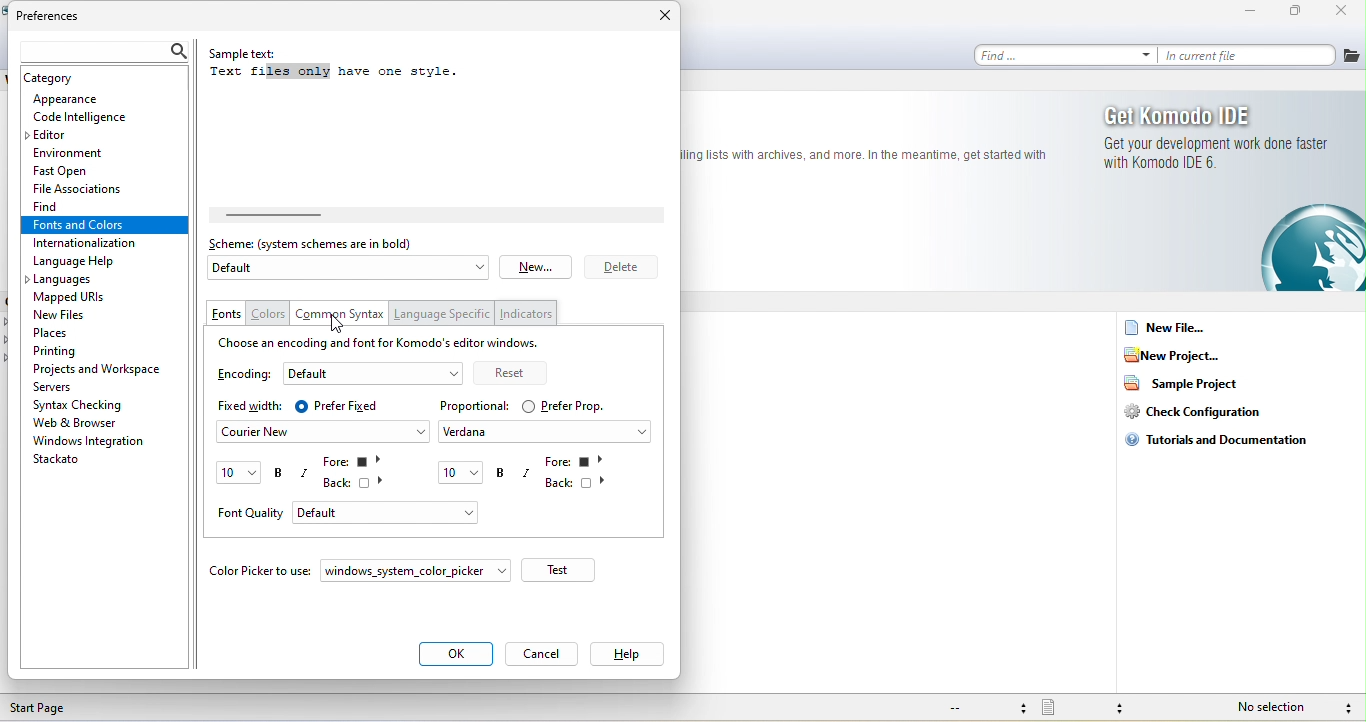 Image resolution: width=1366 pixels, height=722 pixels. Describe the element at coordinates (362, 482) in the screenshot. I see `back` at that location.